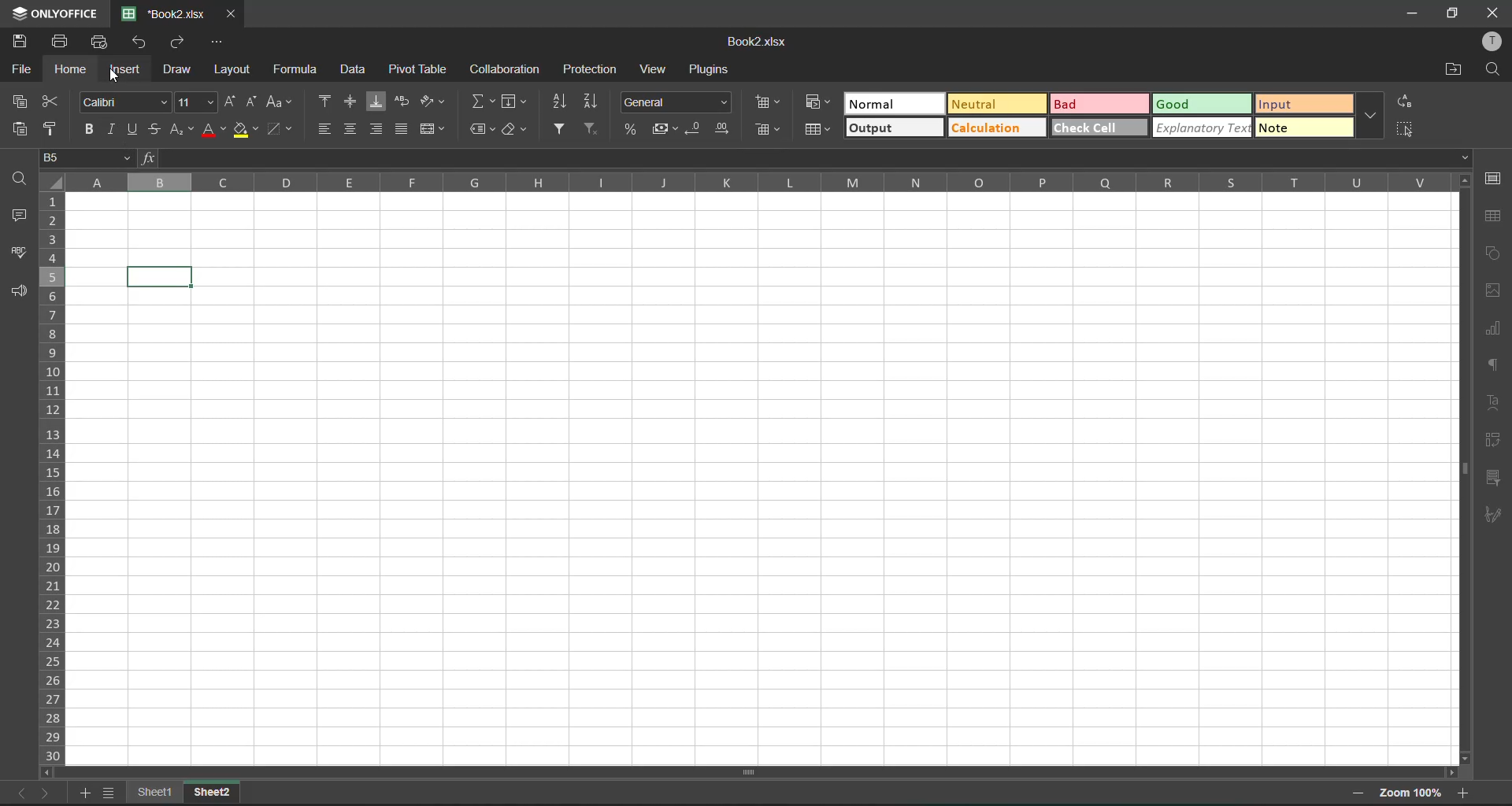 This screenshot has width=1512, height=806. Describe the element at coordinates (113, 793) in the screenshot. I see `sheet list` at that location.